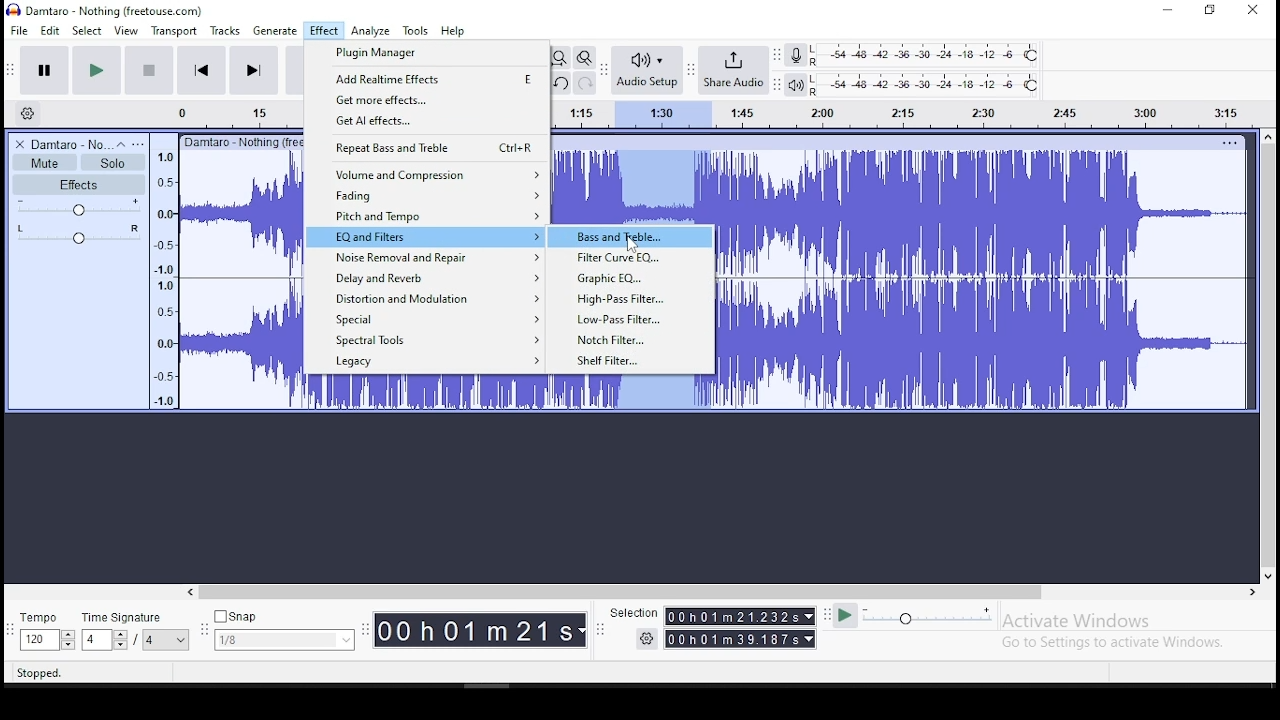 This screenshot has height=720, width=1280. Describe the element at coordinates (631, 185) in the screenshot. I see `audio track` at that location.